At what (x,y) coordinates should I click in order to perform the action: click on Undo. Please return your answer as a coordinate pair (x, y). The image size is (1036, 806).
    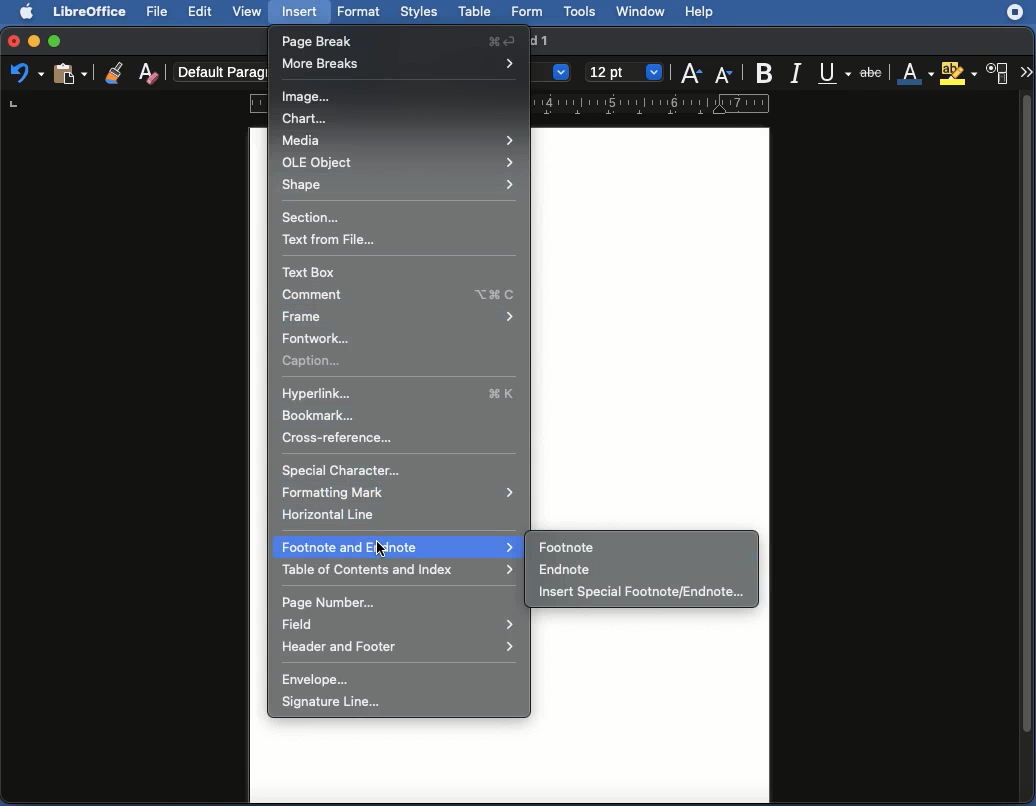
    Looking at the image, I should click on (28, 73).